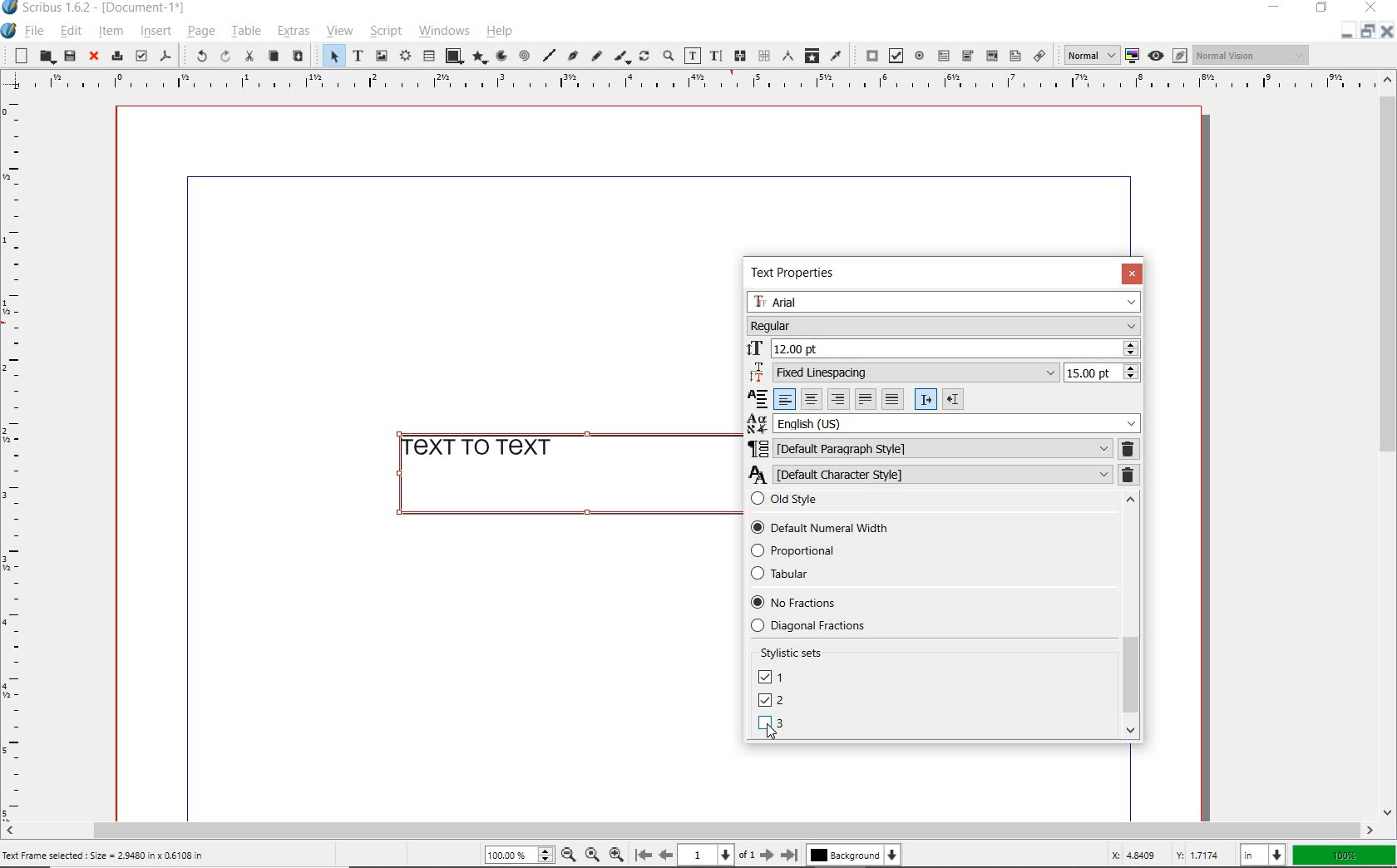 This screenshot has width=1397, height=868. What do you see at coordinates (1345, 856) in the screenshot?
I see `100%` at bounding box center [1345, 856].